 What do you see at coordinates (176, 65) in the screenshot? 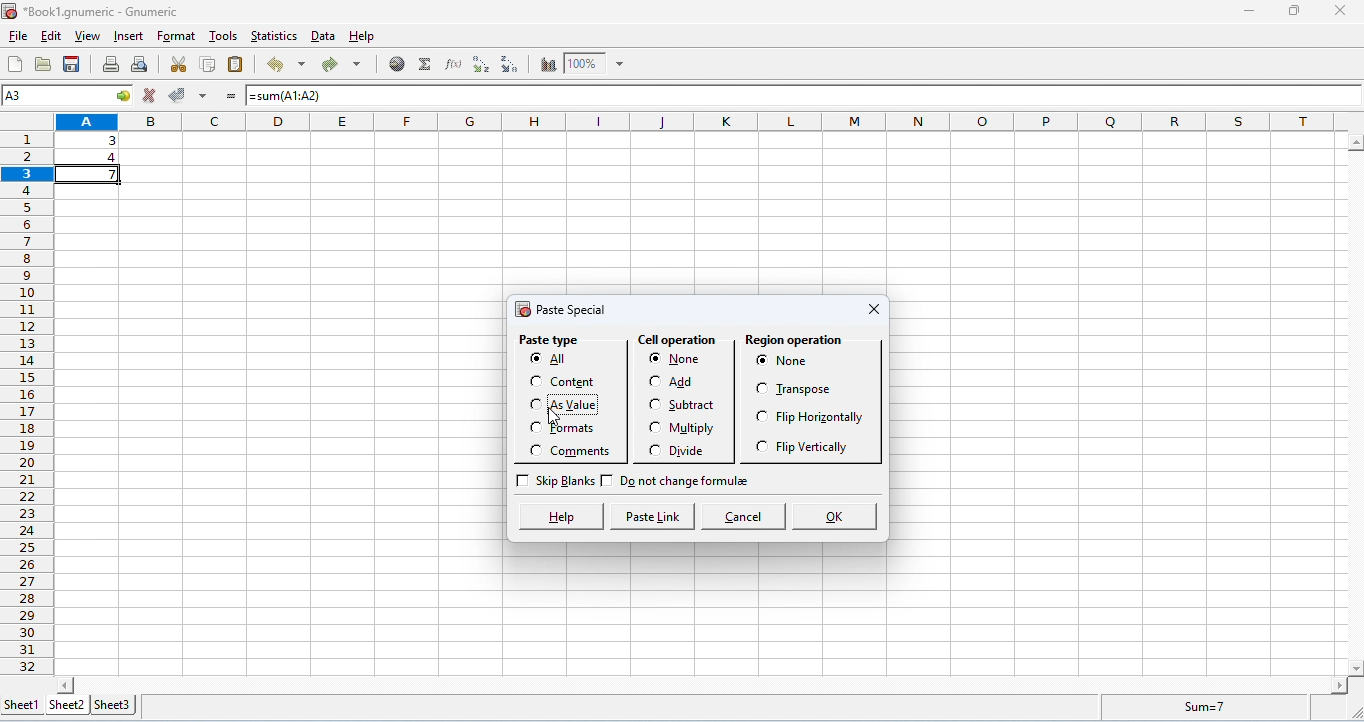
I see `cut` at bounding box center [176, 65].